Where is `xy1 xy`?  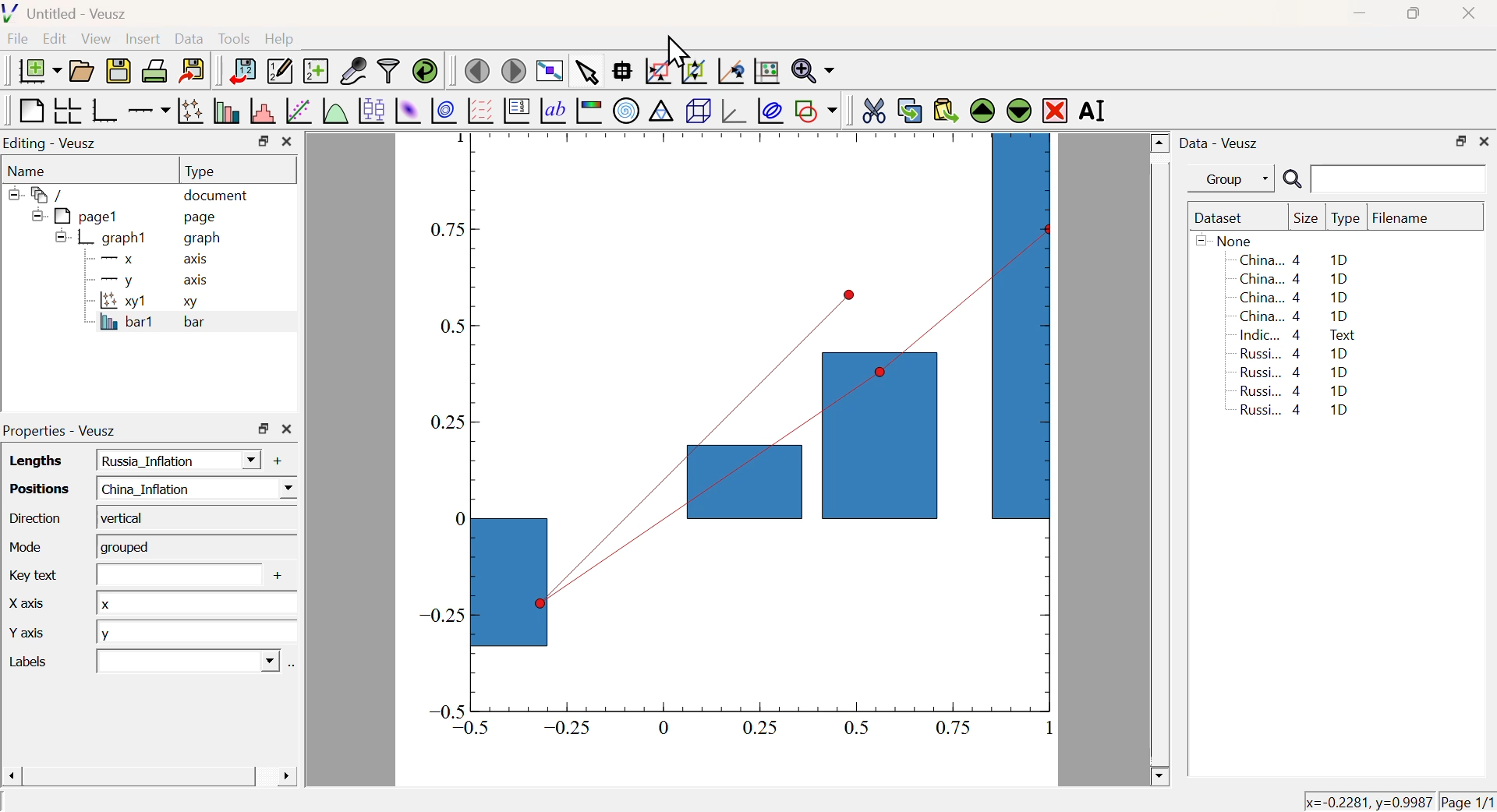
xy1 xy is located at coordinates (145, 302).